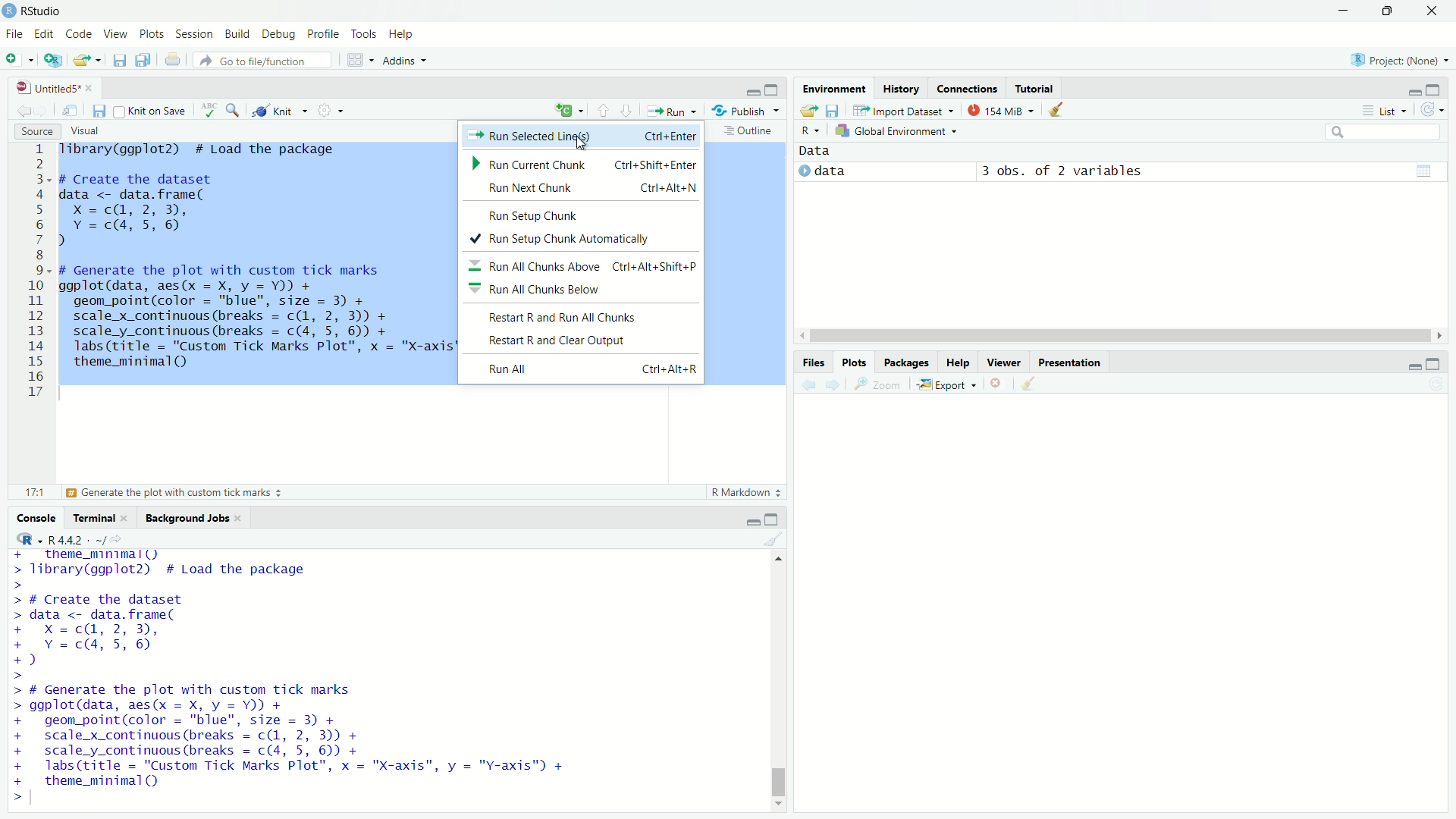 This screenshot has width=1456, height=819. I want to click on history, so click(899, 87).